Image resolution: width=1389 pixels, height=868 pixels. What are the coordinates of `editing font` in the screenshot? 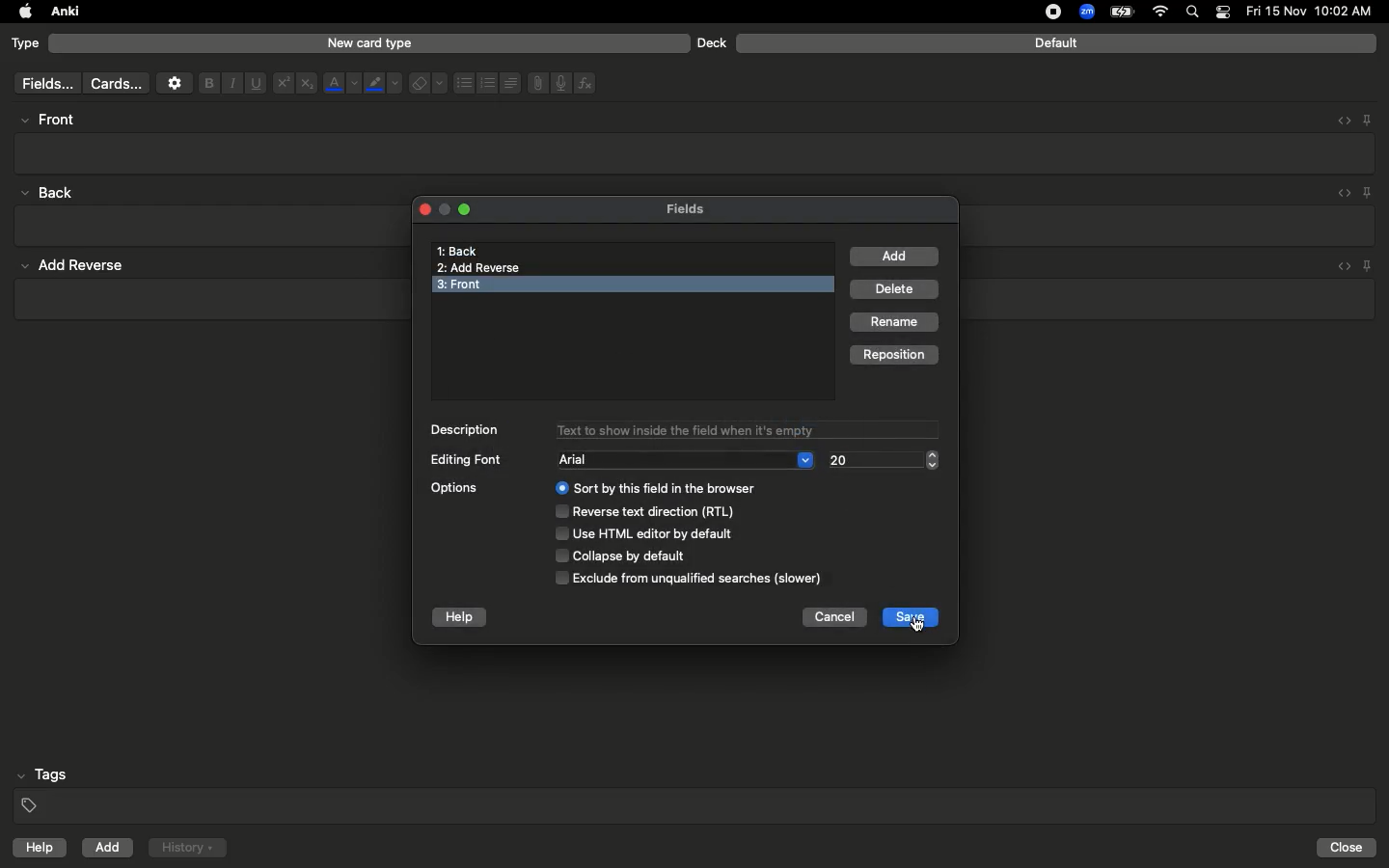 It's located at (468, 461).